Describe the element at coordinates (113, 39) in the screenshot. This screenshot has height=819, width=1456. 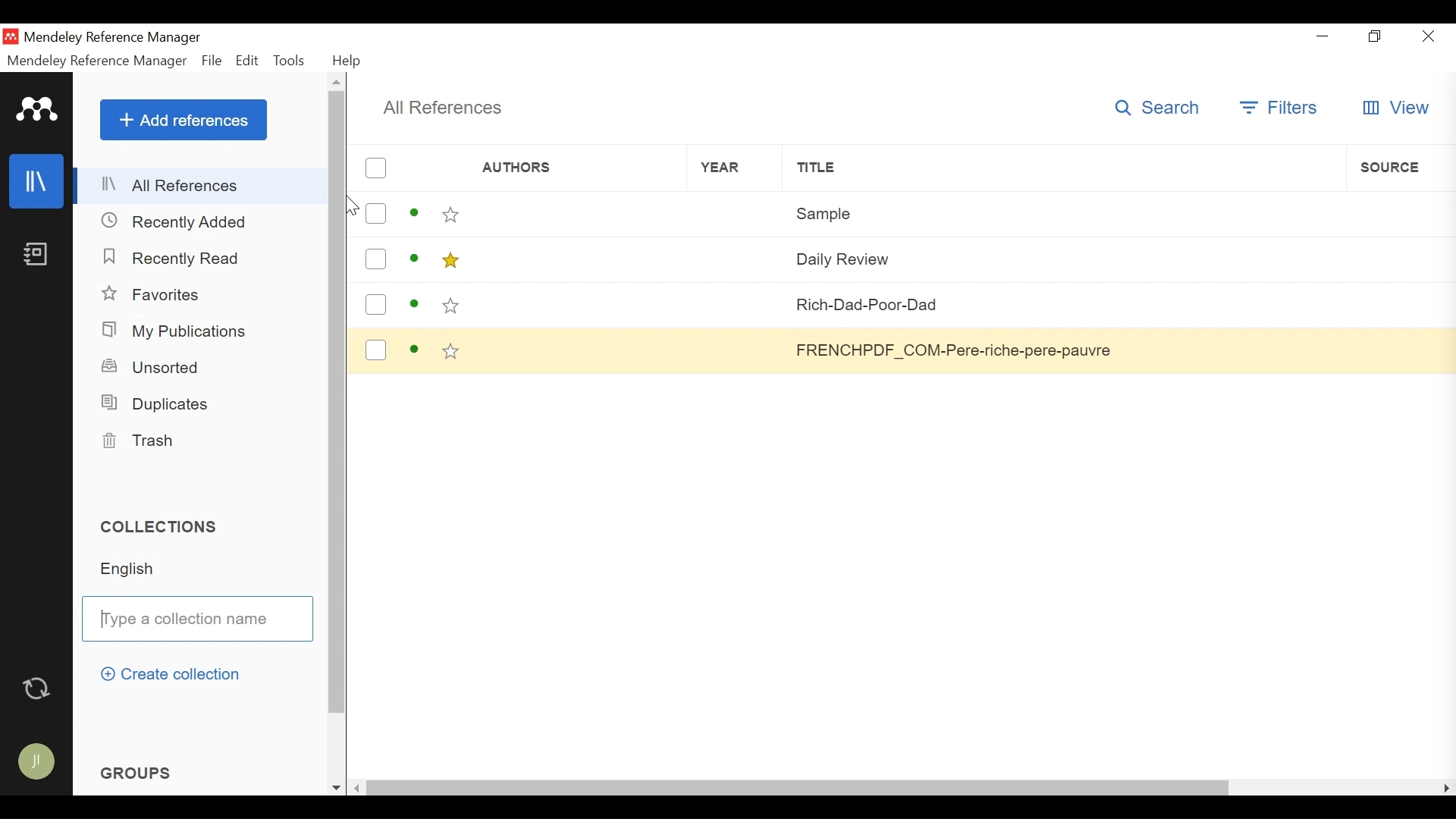
I see `Mendeley Reference Manager` at that location.